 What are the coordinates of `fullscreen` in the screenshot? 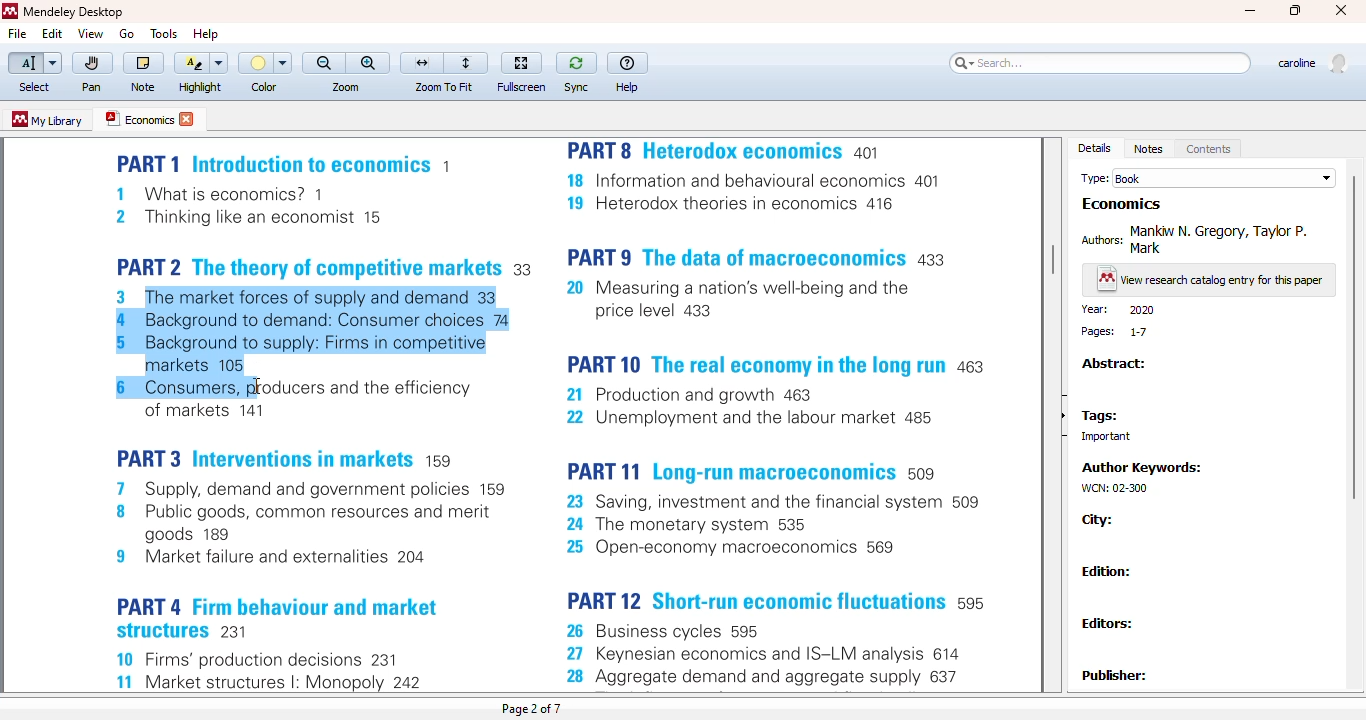 It's located at (522, 87).